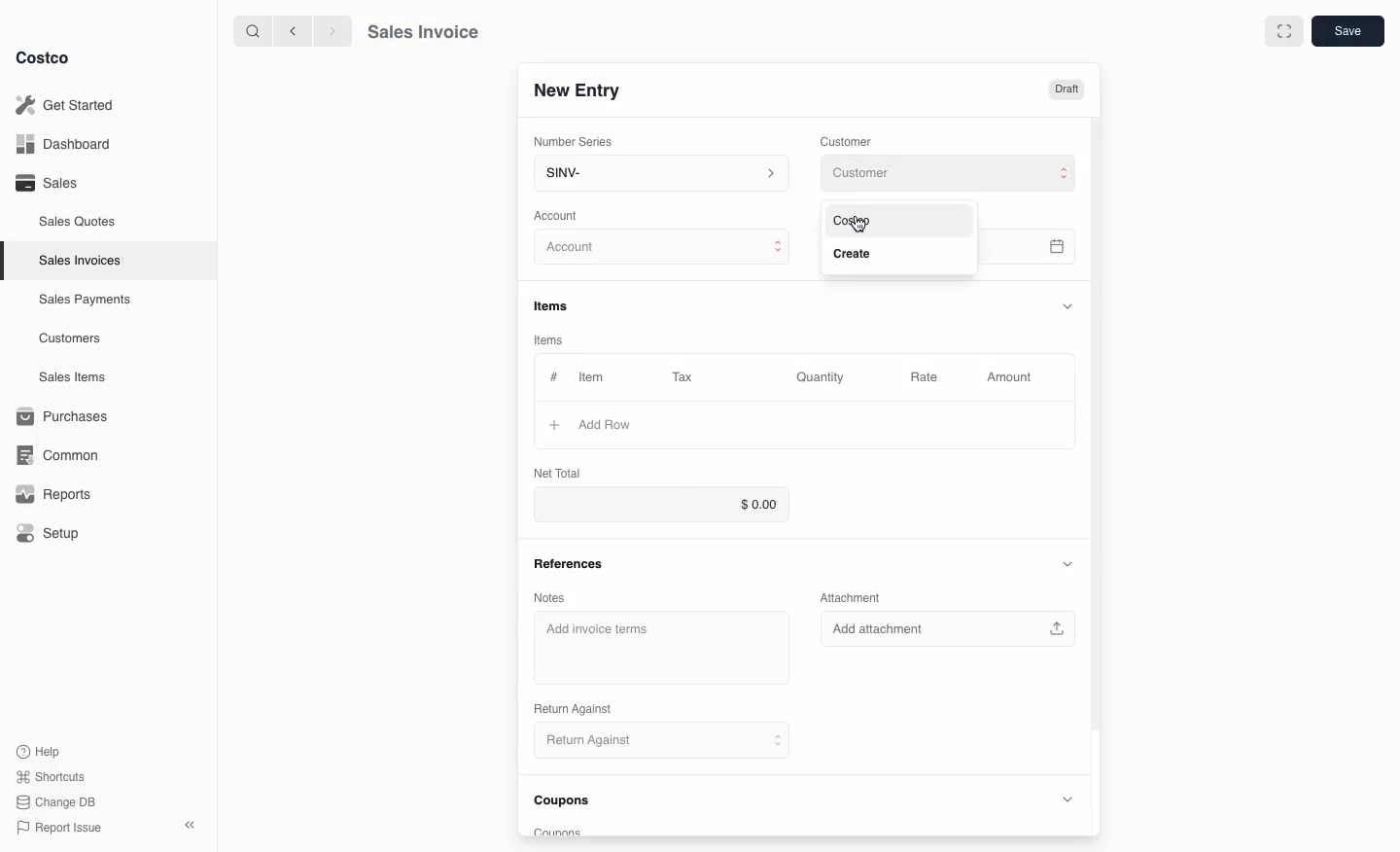  What do you see at coordinates (44, 58) in the screenshot?
I see `Costco` at bounding box center [44, 58].